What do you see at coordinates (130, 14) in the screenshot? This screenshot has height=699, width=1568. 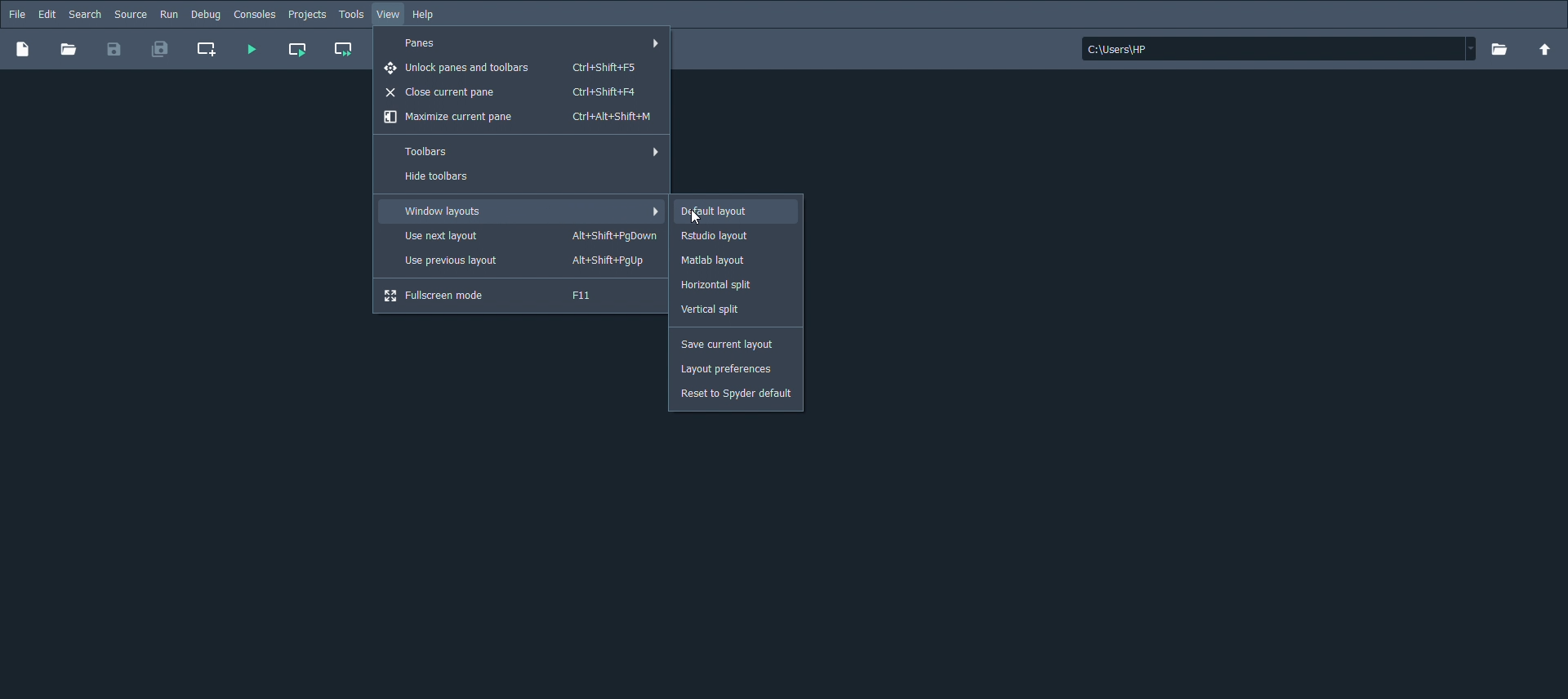 I see `Source` at bounding box center [130, 14].